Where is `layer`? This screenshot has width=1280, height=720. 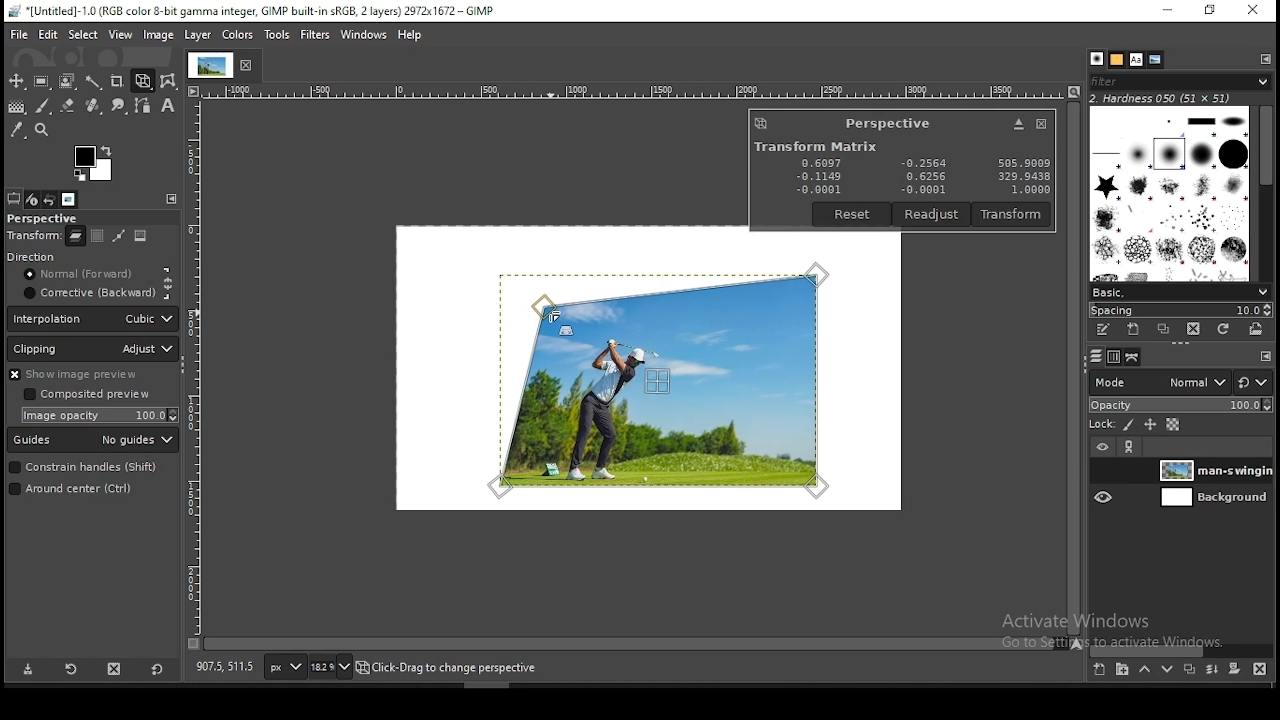 layer is located at coordinates (74, 239).